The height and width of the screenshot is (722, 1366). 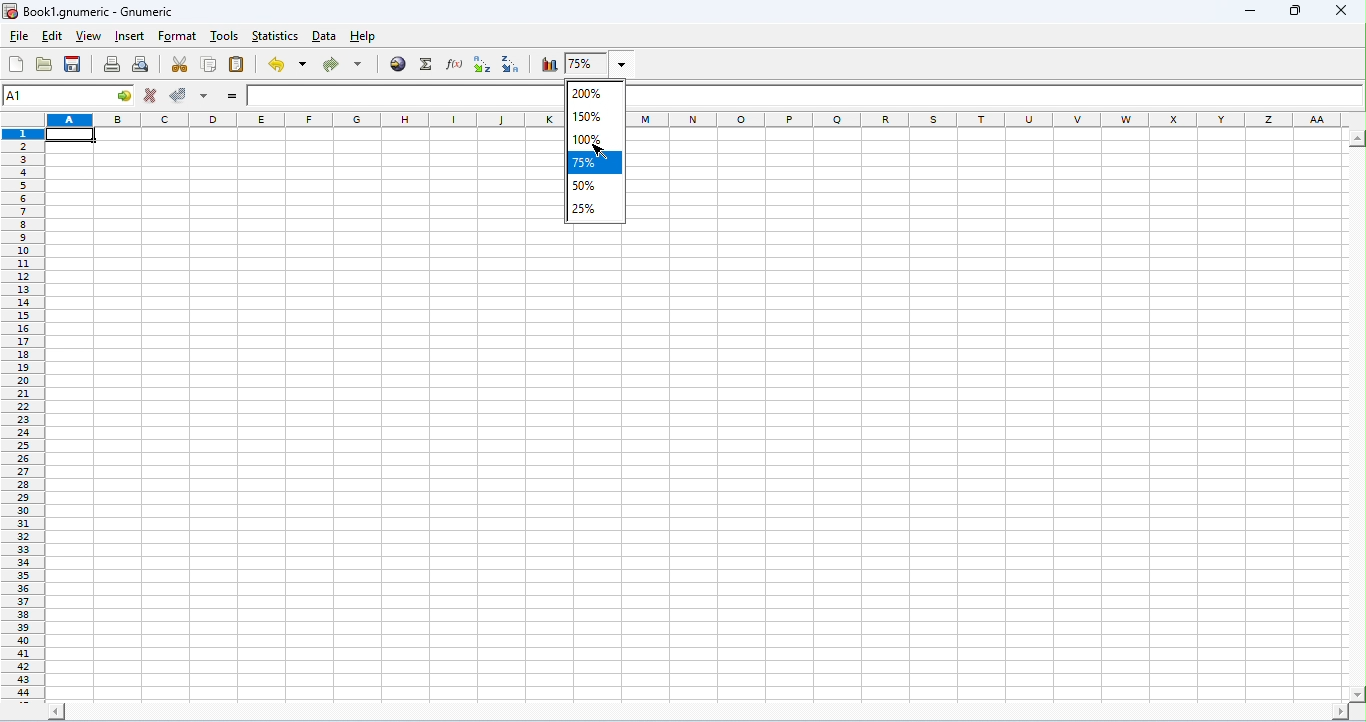 What do you see at coordinates (287, 64) in the screenshot?
I see `undo` at bounding box center [287, 64].